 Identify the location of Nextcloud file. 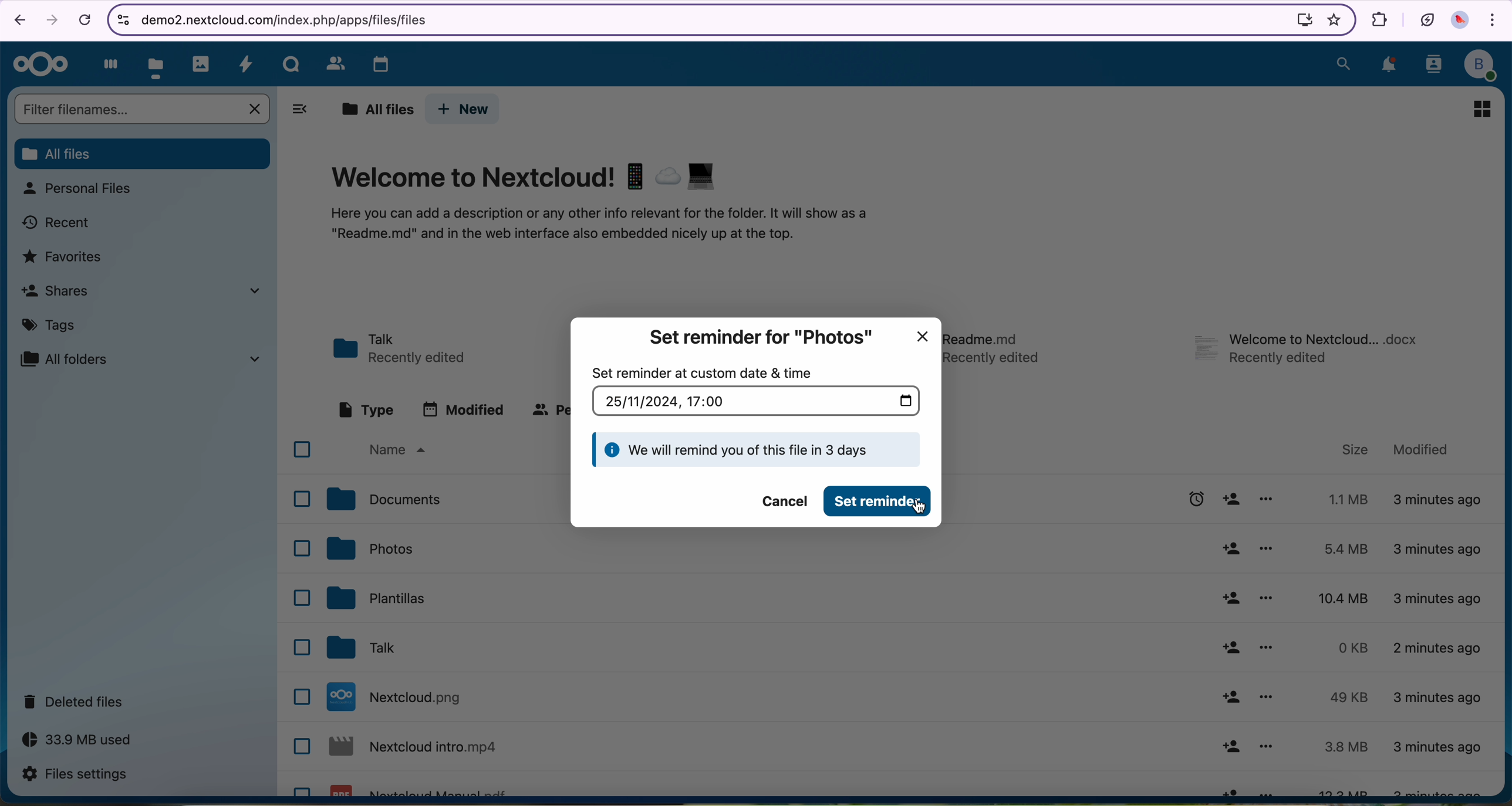
(401, 697).